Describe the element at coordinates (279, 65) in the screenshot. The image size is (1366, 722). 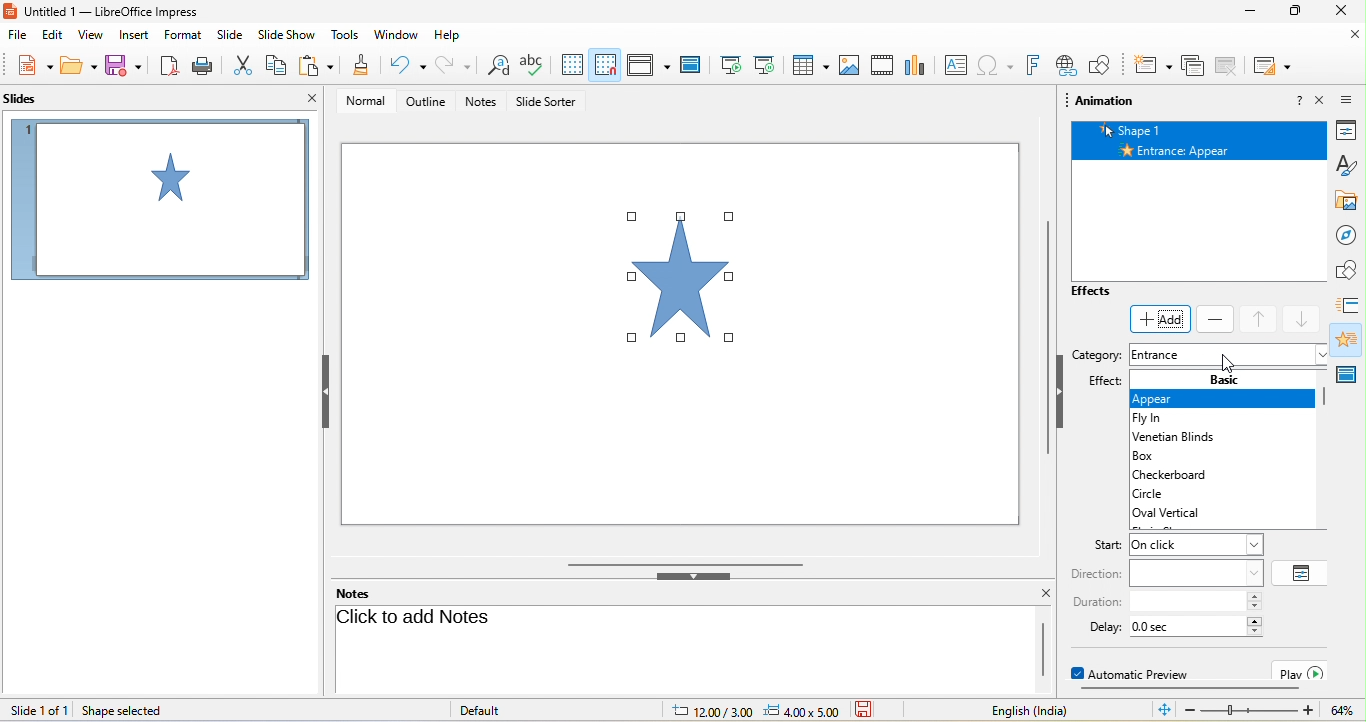
I see `copy` at that location.